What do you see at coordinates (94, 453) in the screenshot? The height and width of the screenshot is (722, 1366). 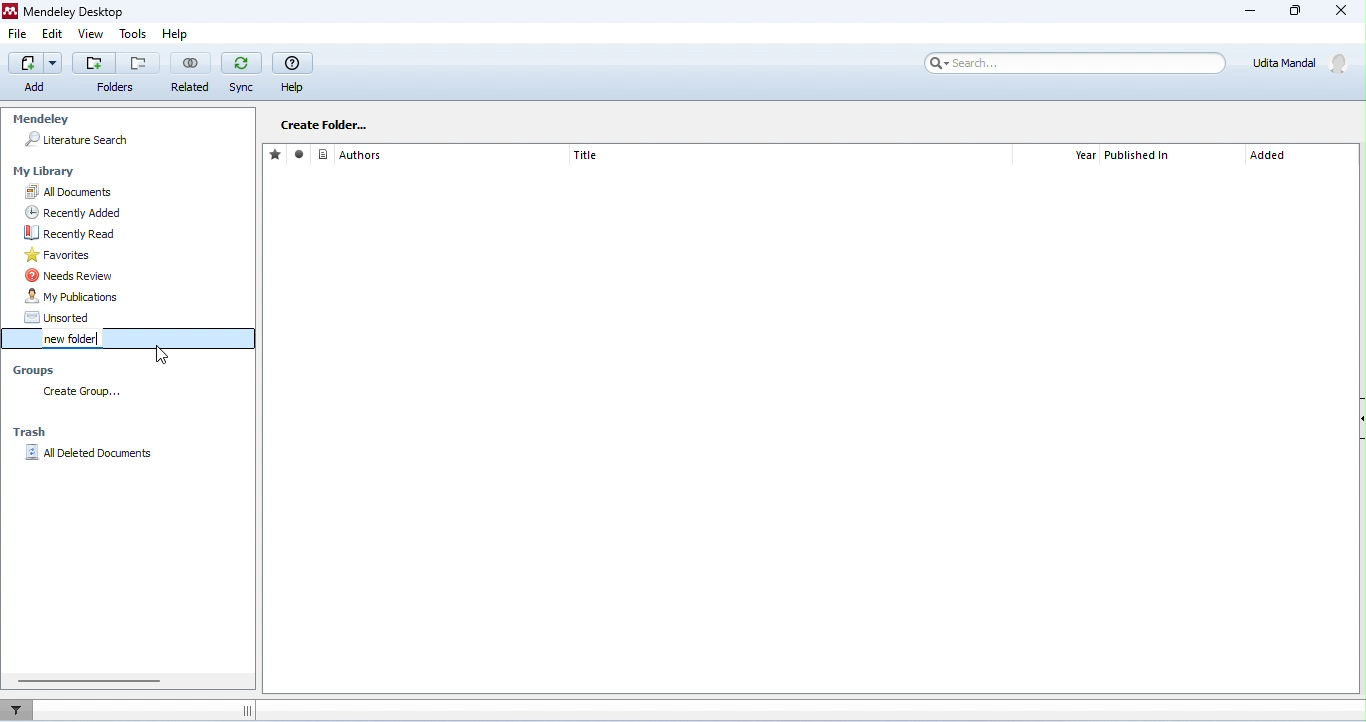 I see `all deleted documents` at bounding box center [94, 453].